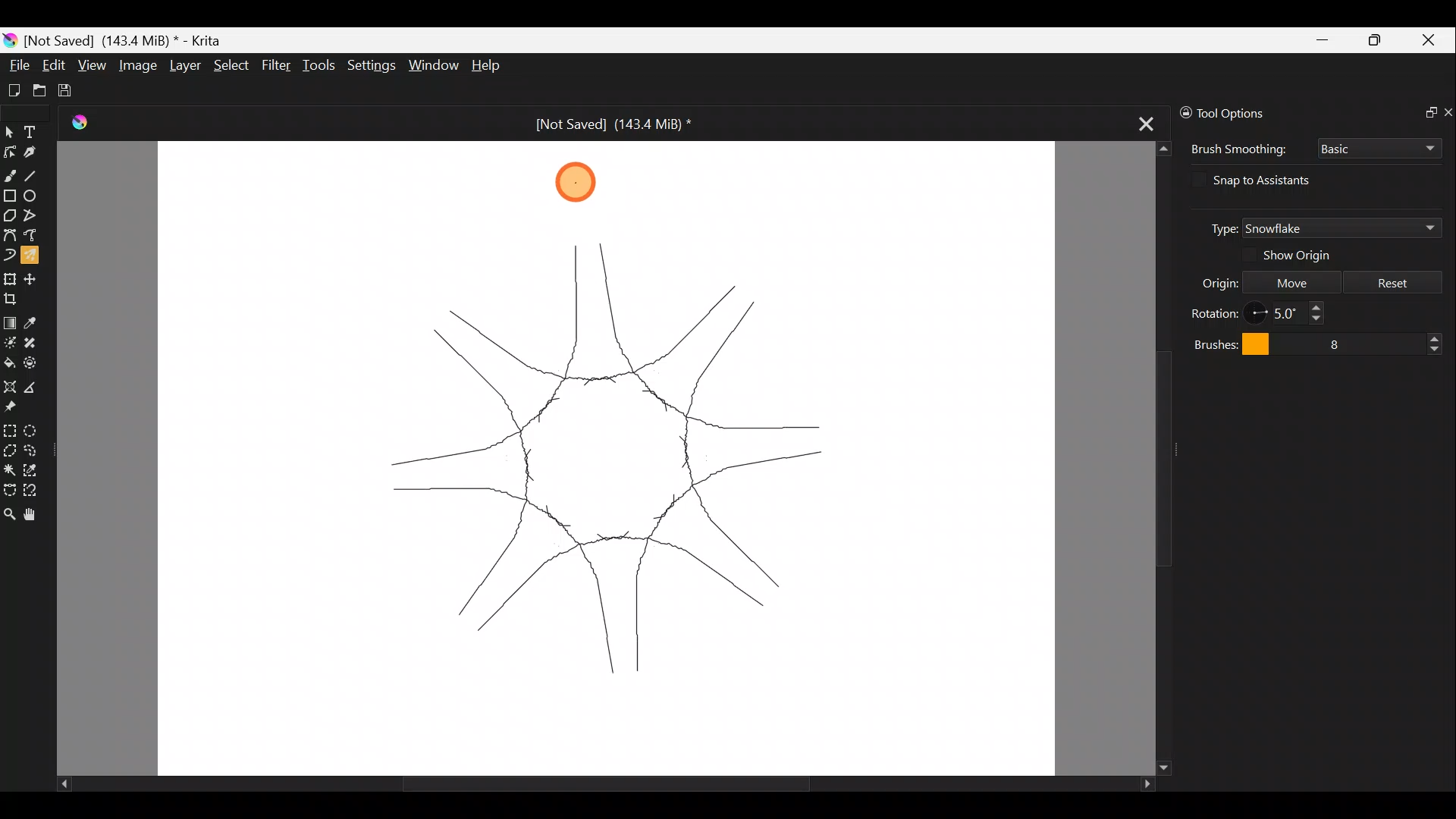 The width and height of the screenshot is (1456, 819). I want to click on Text tool, so click(33, 132).